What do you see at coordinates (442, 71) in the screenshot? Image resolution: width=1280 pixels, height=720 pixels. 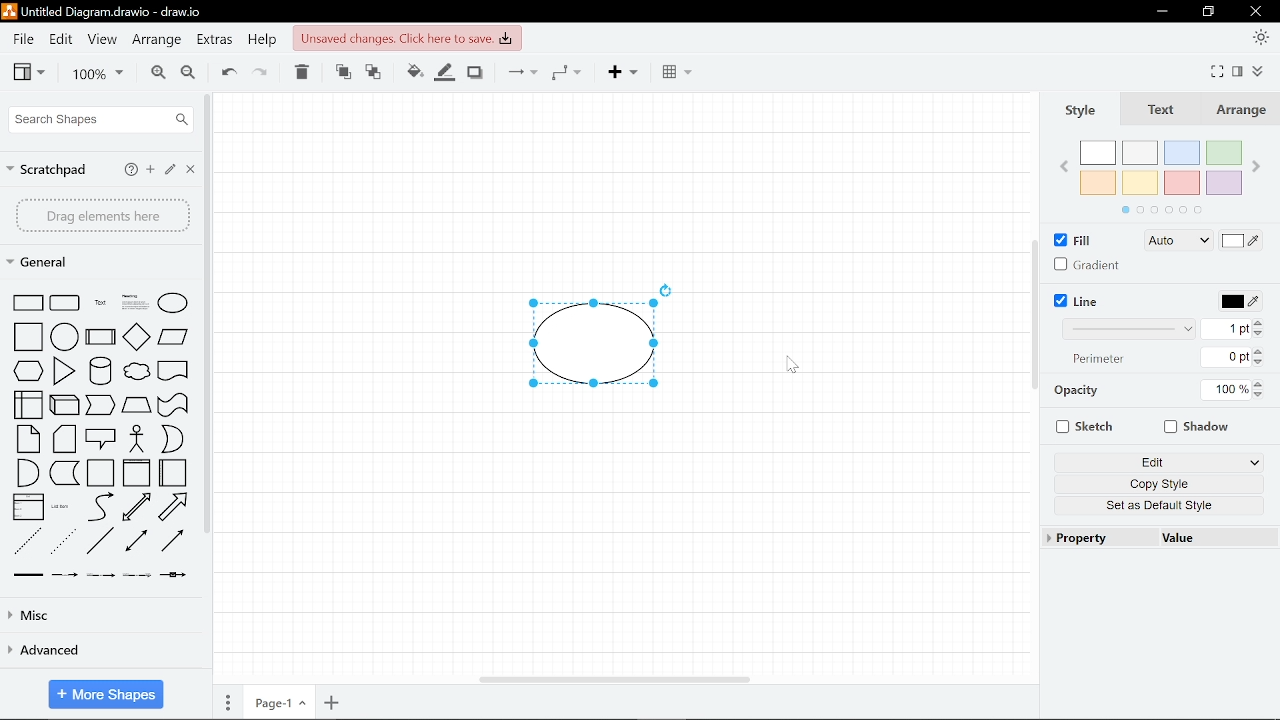 I see `Fill line` at bounding box center [442, 71].